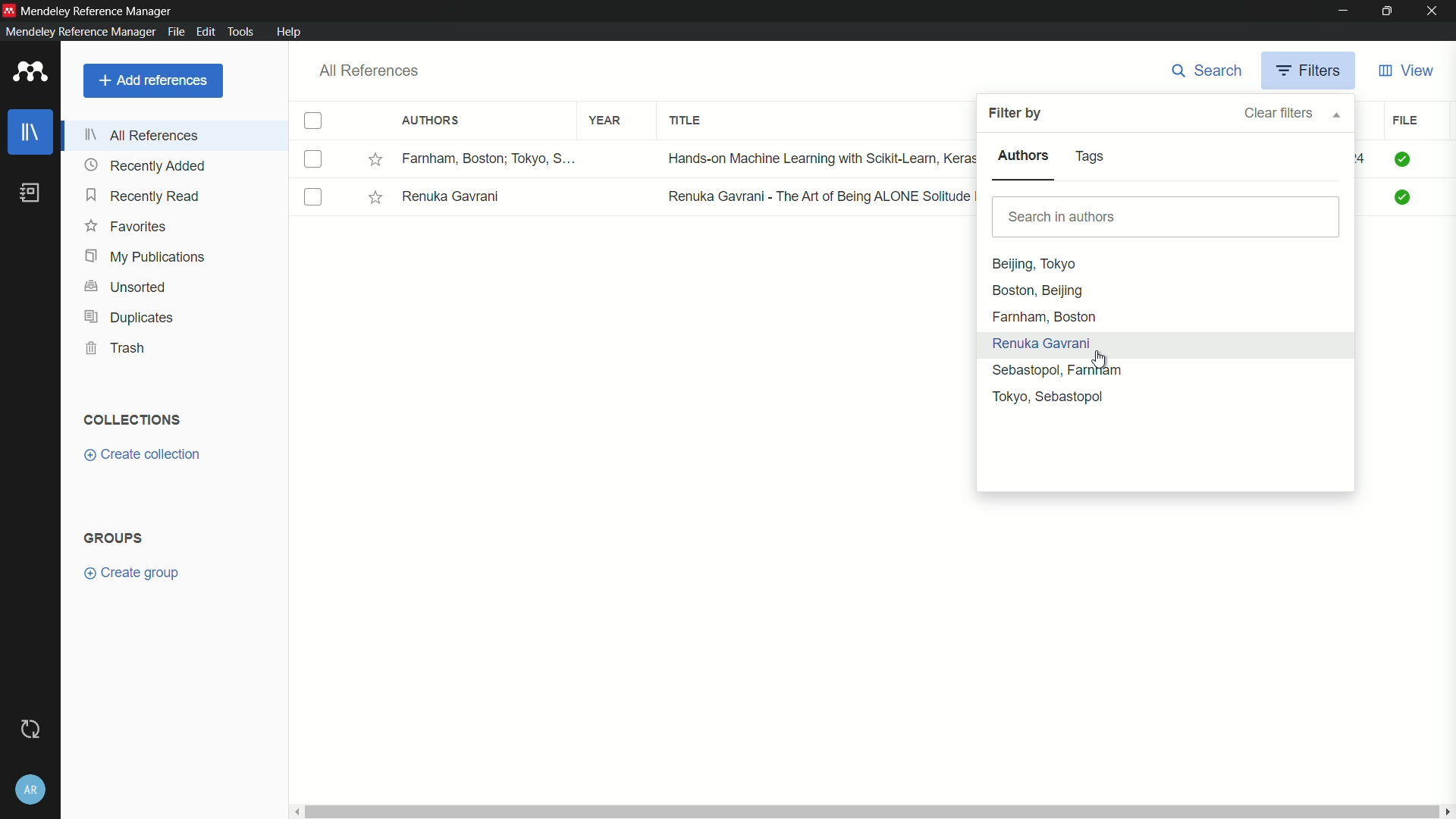 Image resolution: width=1456 pixels, height=819 pixels. I want to click on account and settings, so click(30, 789).